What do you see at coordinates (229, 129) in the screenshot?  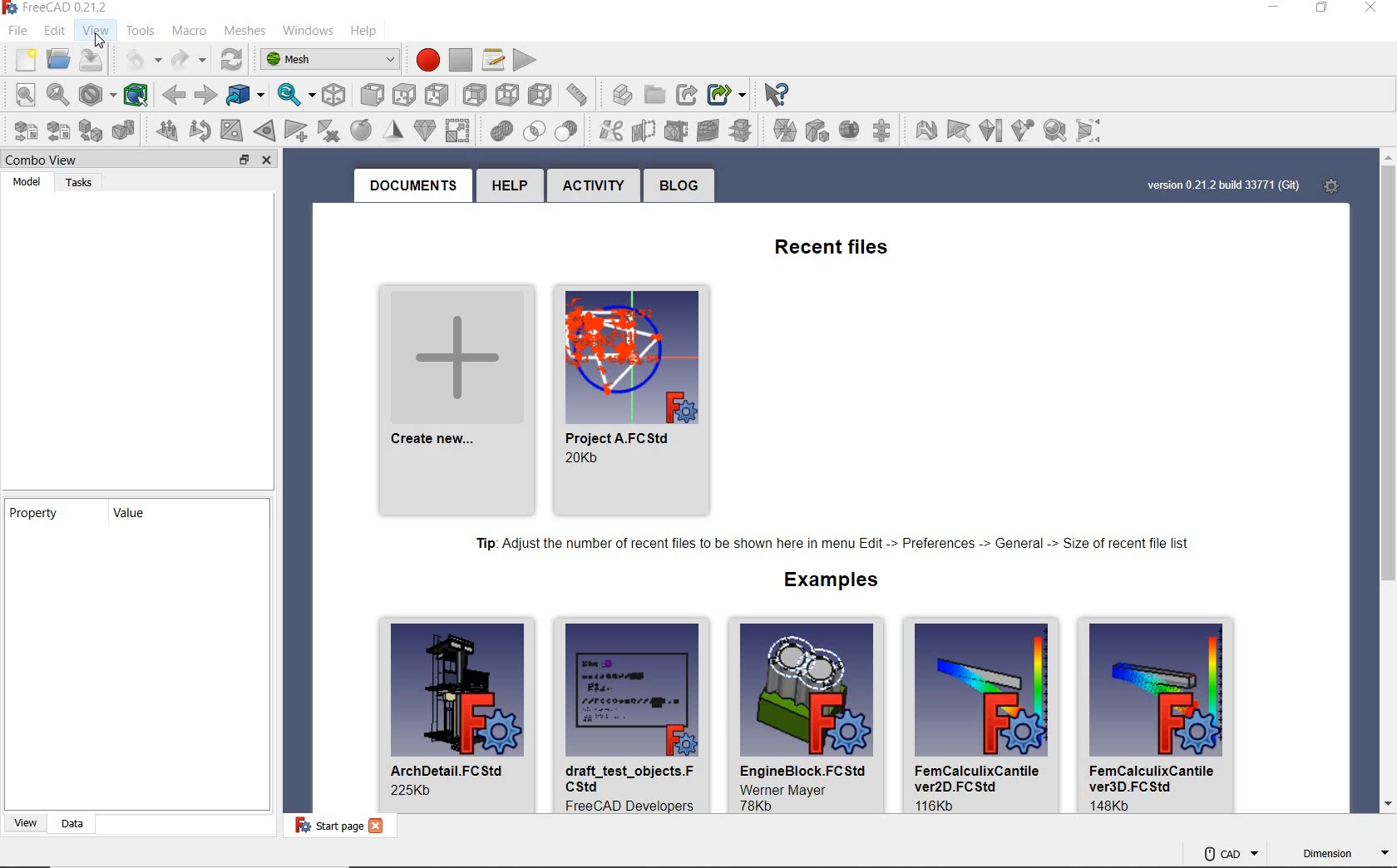 I see `fill holes` at bounding box center [229, 129].